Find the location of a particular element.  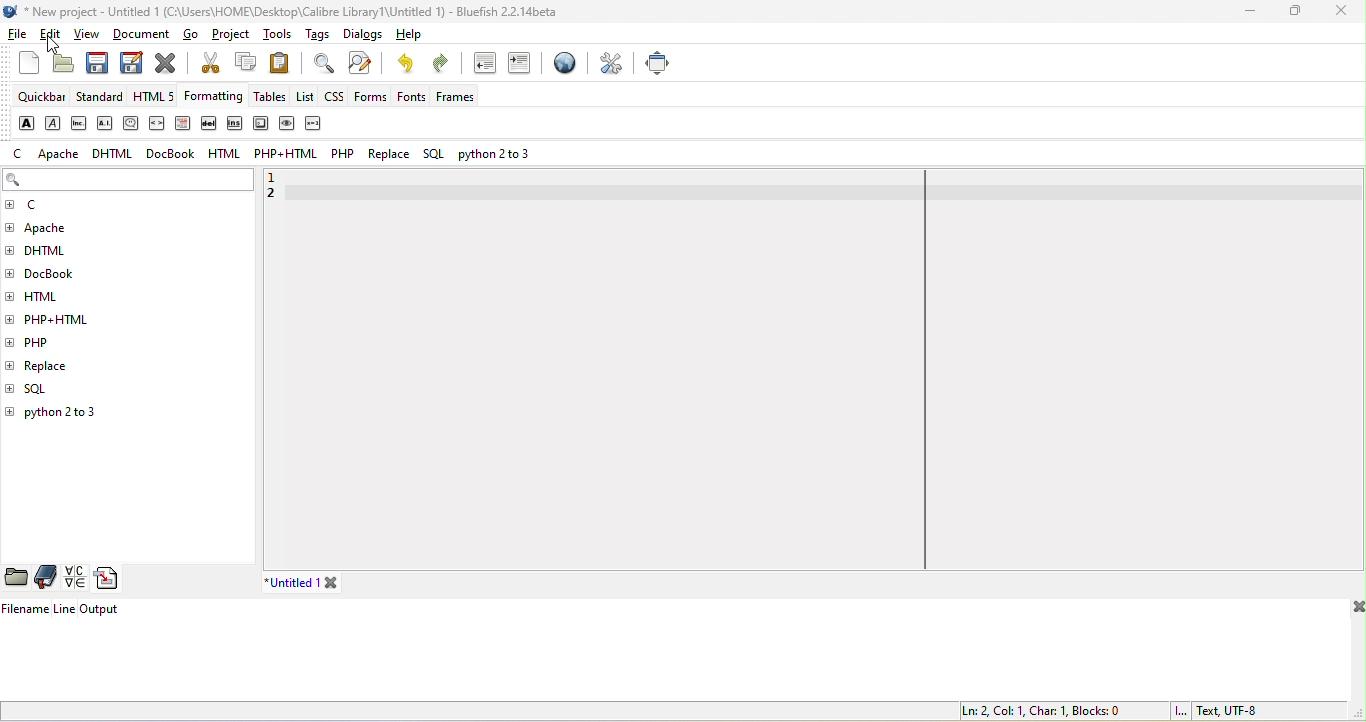

abbreviation is located at coordinates (81, 122).